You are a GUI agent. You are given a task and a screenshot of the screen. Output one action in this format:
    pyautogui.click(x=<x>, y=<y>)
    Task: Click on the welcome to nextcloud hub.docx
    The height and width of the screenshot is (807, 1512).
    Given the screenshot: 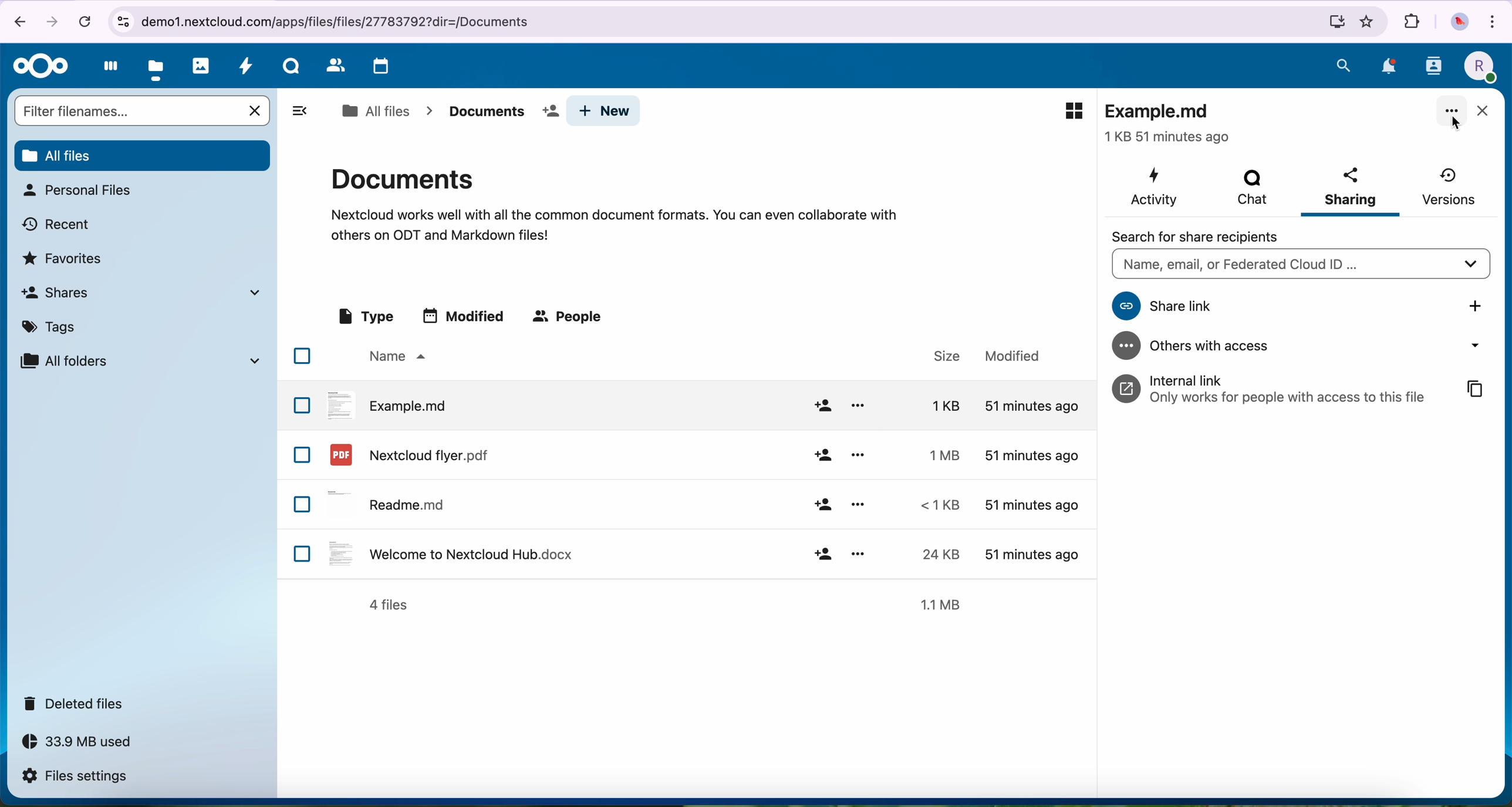 What is the action you would take?
    pyautogui.click(x=448, y=553)
    